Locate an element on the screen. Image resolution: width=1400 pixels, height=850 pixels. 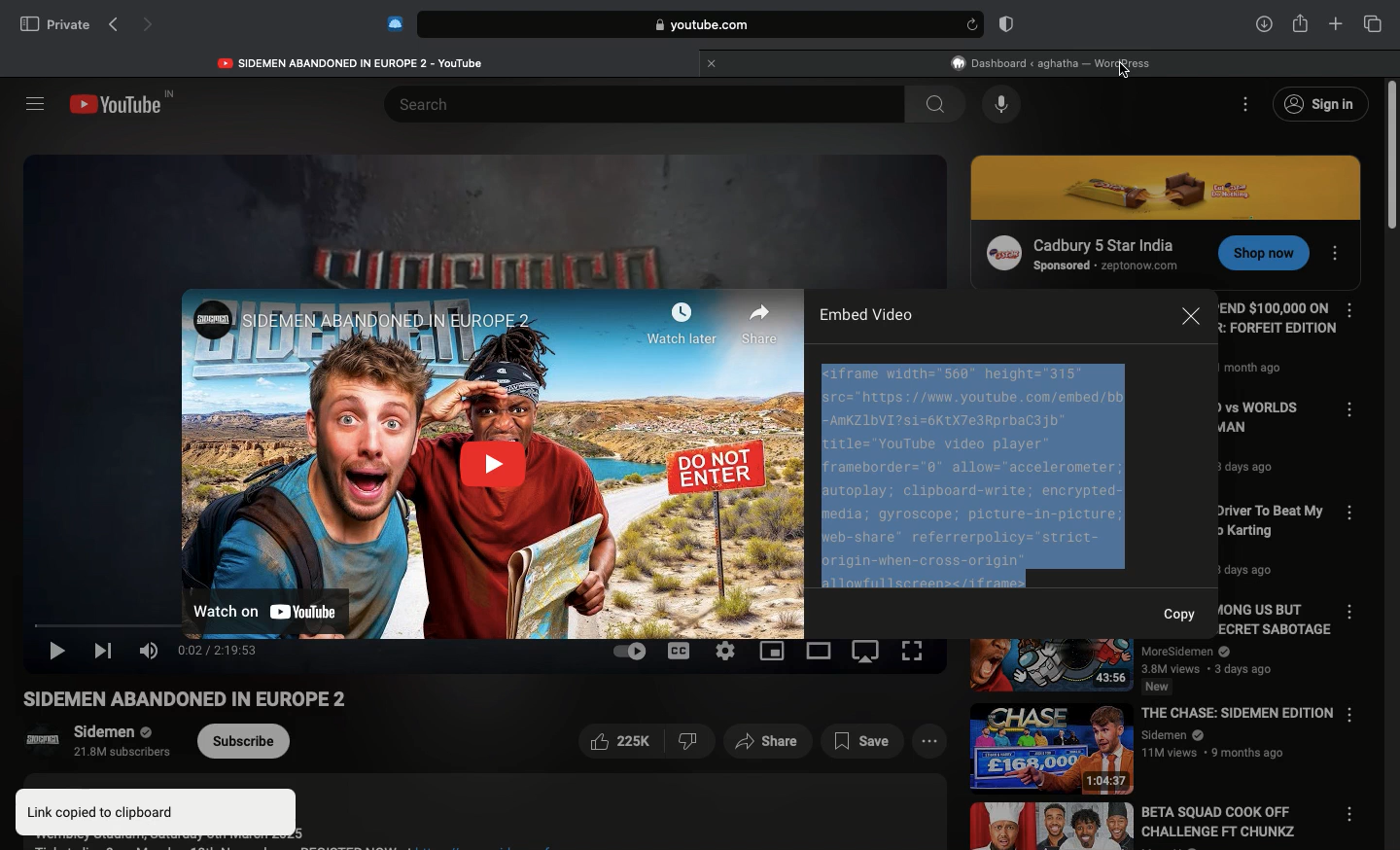
Next video is located at coordinates (106, 652).